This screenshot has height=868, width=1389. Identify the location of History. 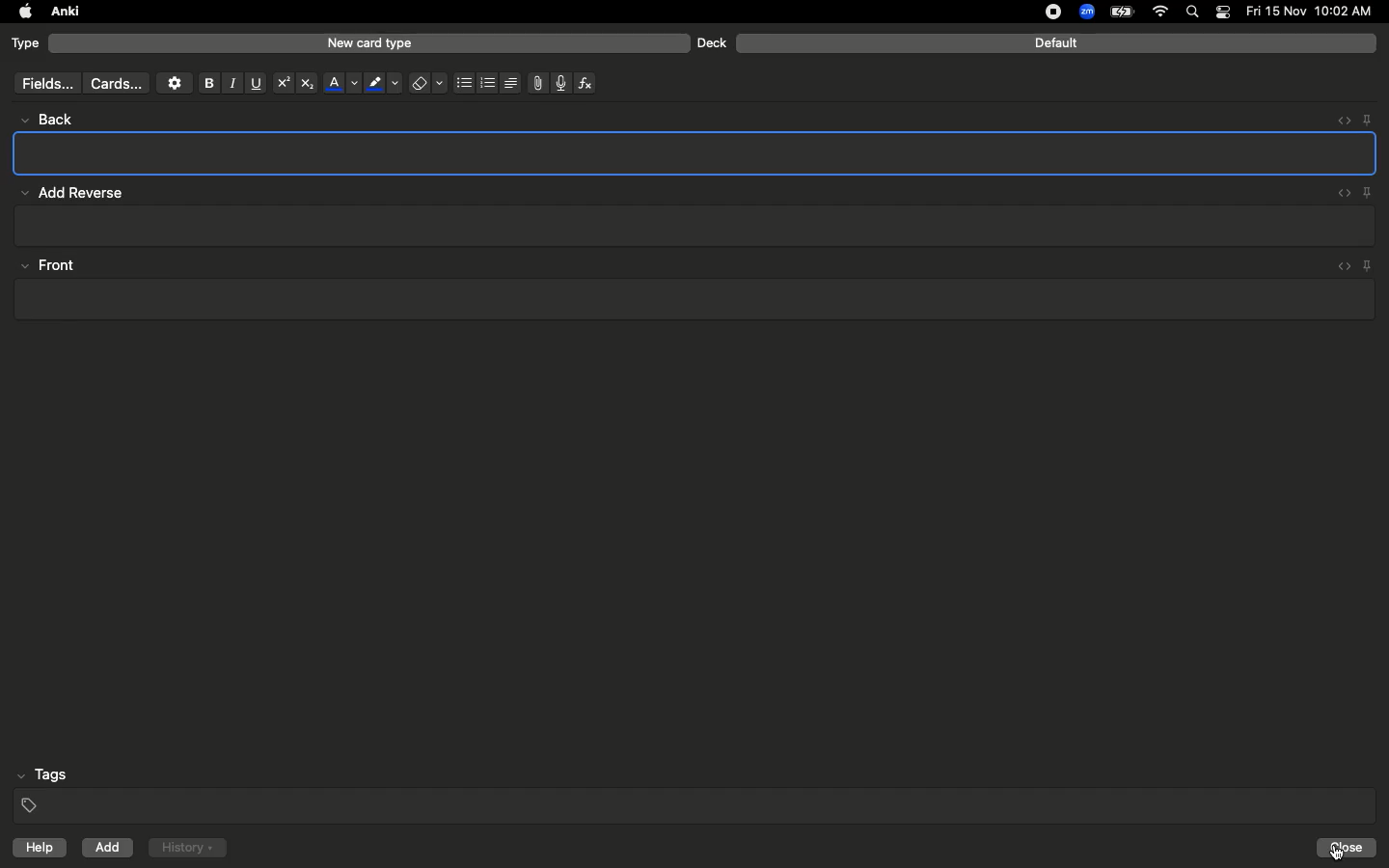
(187, 848).